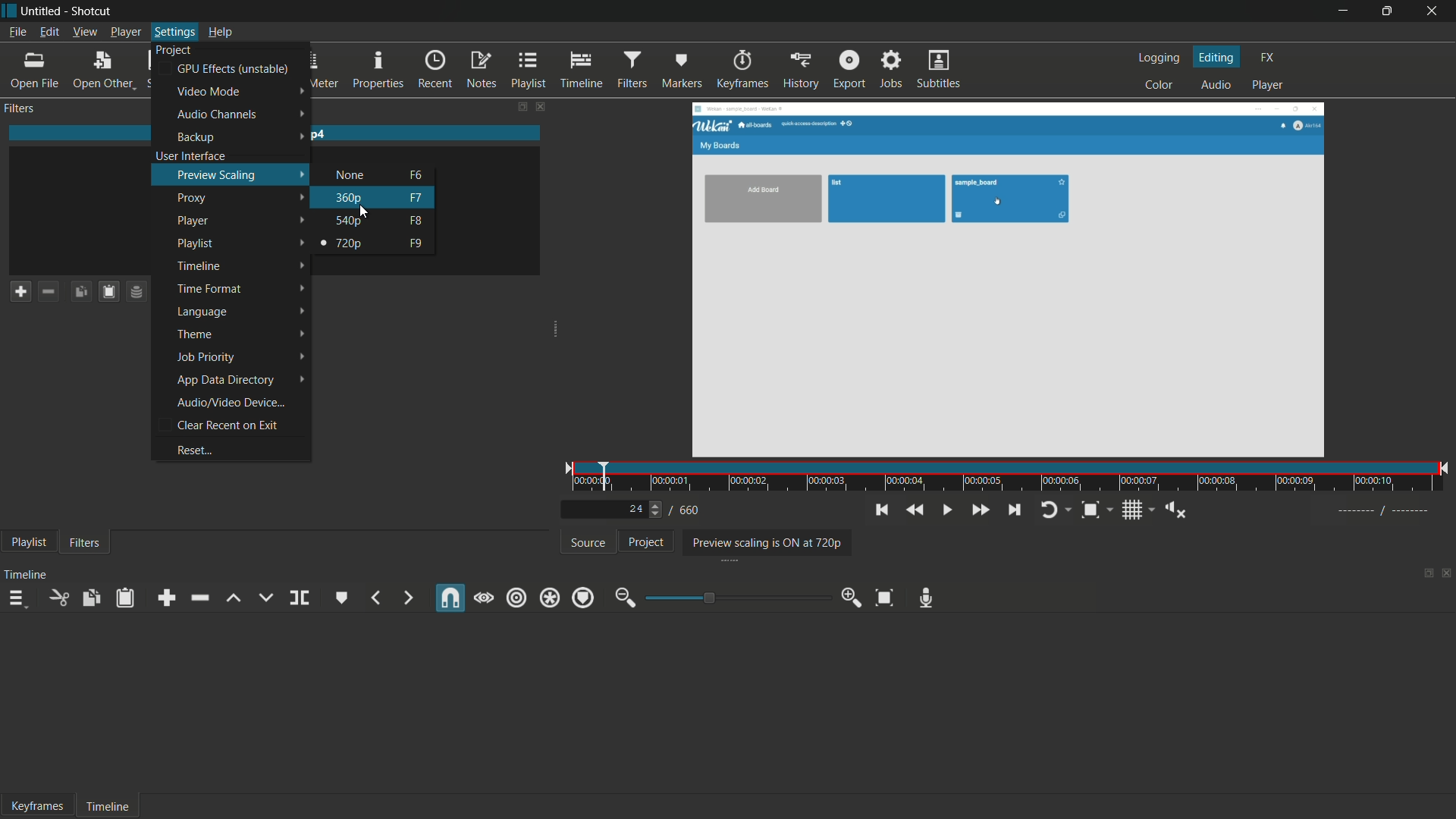 This screenshot has height=819, width=1456. I want to click on snap, so click(450, 600).